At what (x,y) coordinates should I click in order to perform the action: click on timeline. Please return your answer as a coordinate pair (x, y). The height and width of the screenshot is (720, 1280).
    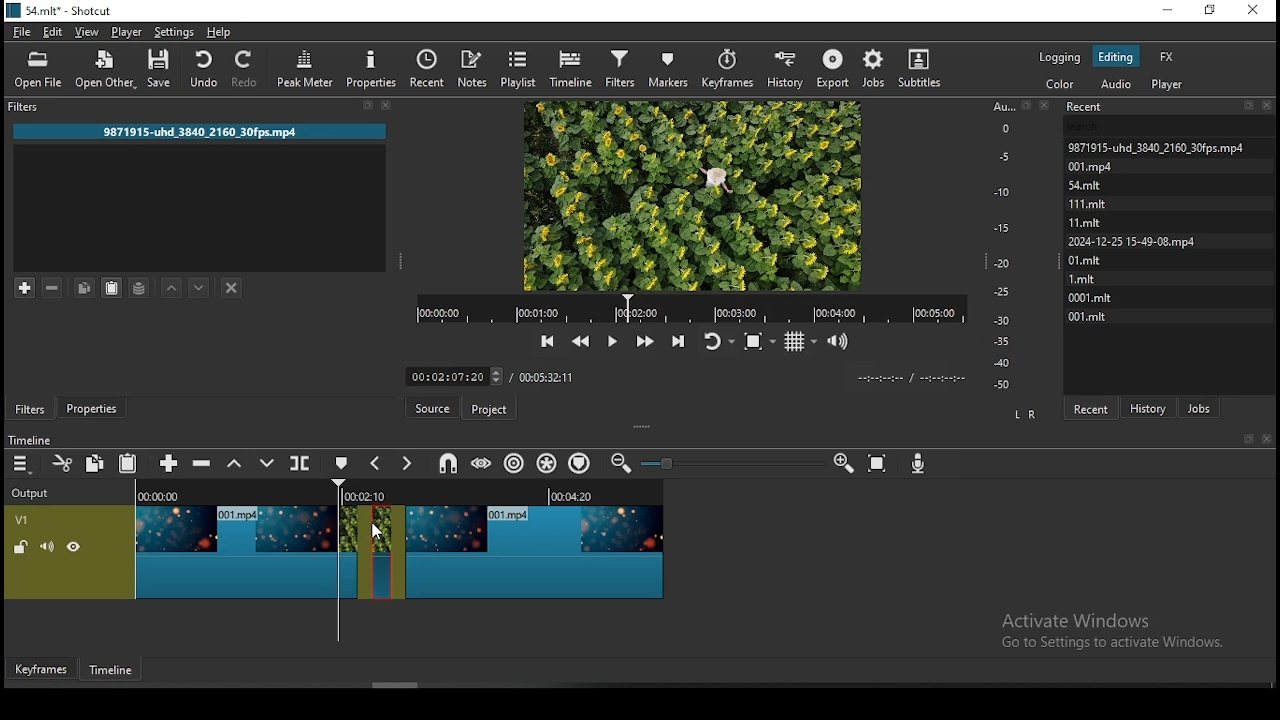
    Looking at the image, I should click on (573, 67).